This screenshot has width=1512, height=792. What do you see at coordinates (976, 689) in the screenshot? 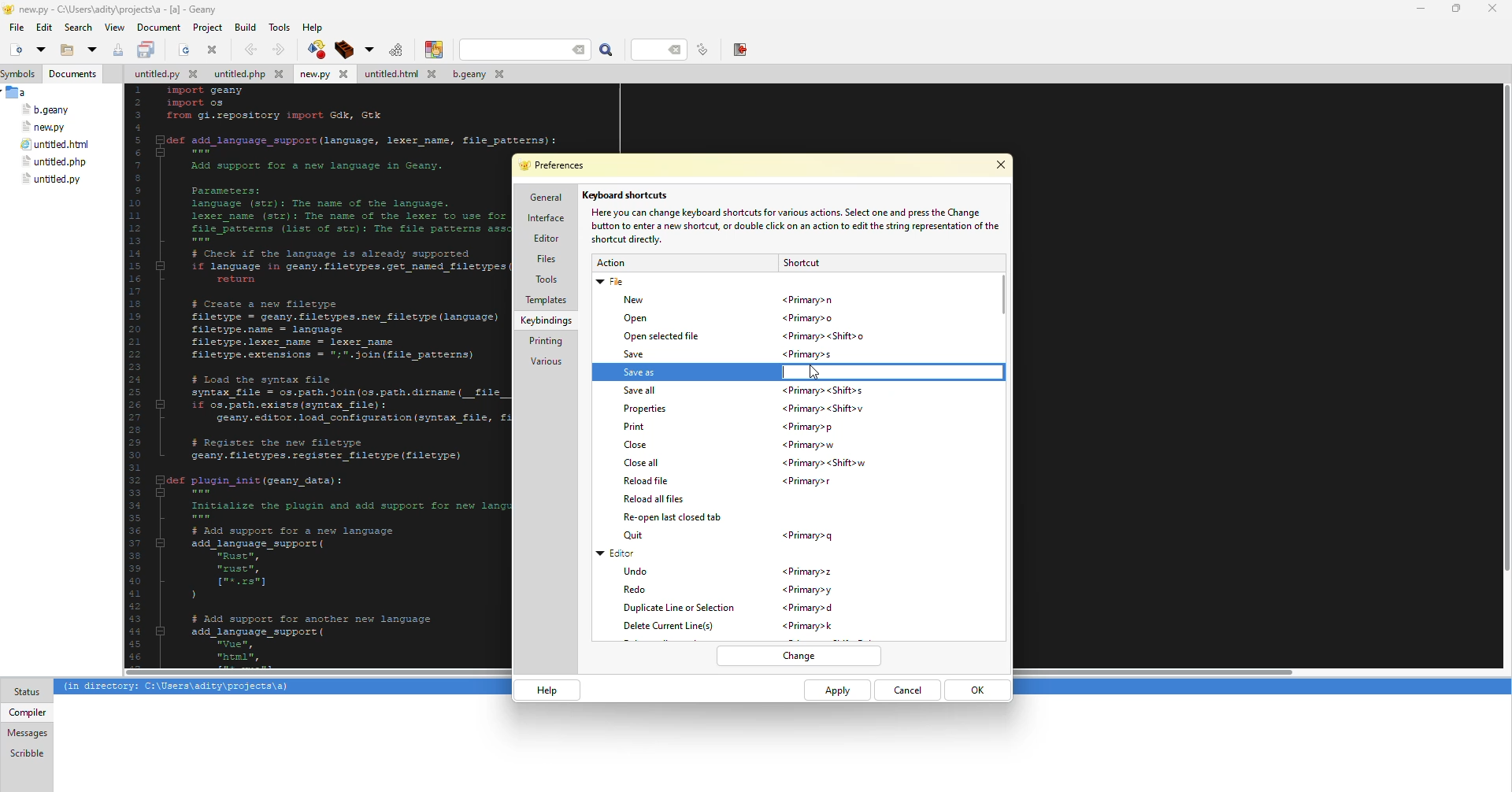
I see `ok` at bounding box center [976, 689].